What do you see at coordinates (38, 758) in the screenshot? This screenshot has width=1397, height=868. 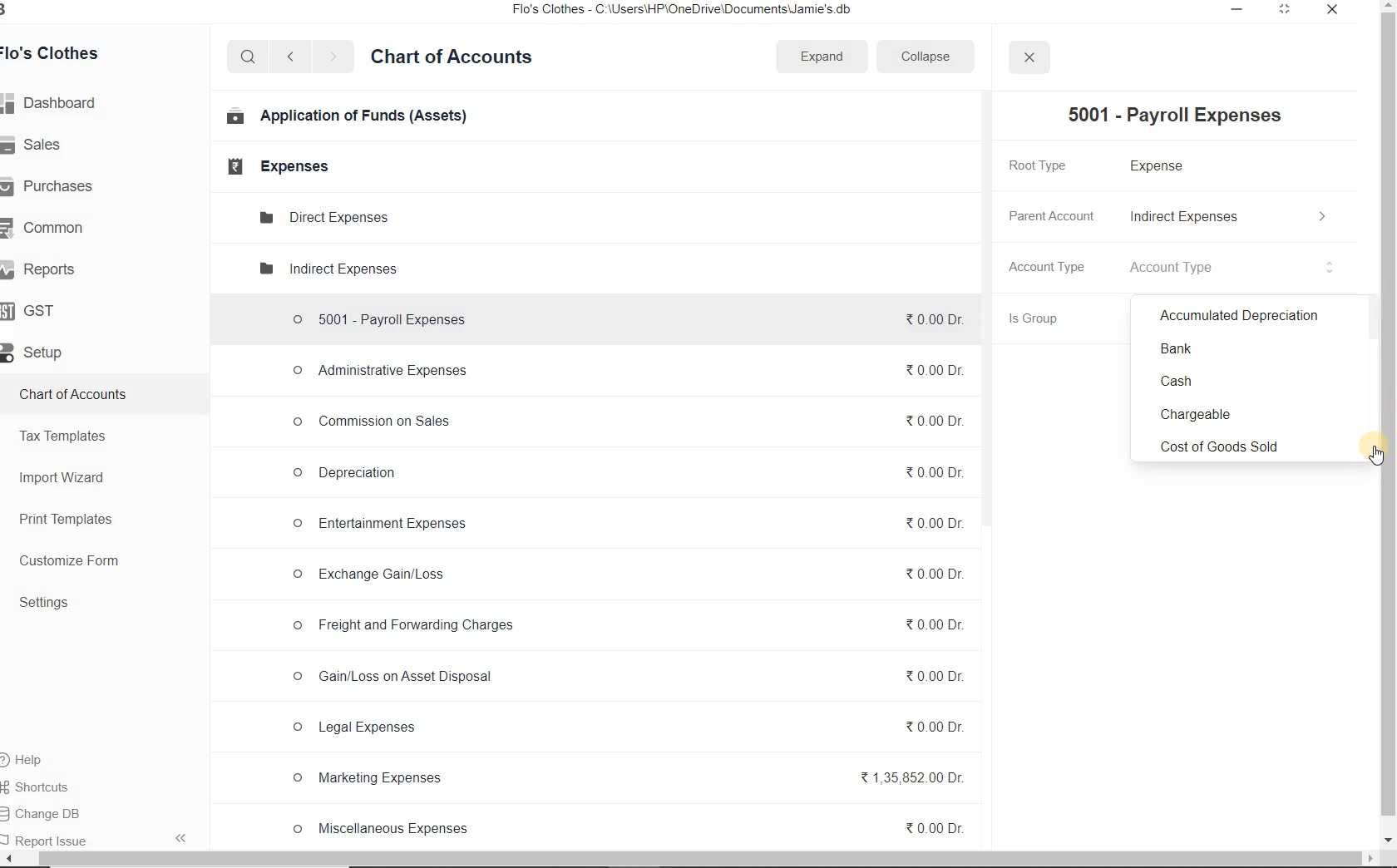 I see ` Help` at bounding box center [38, 758].